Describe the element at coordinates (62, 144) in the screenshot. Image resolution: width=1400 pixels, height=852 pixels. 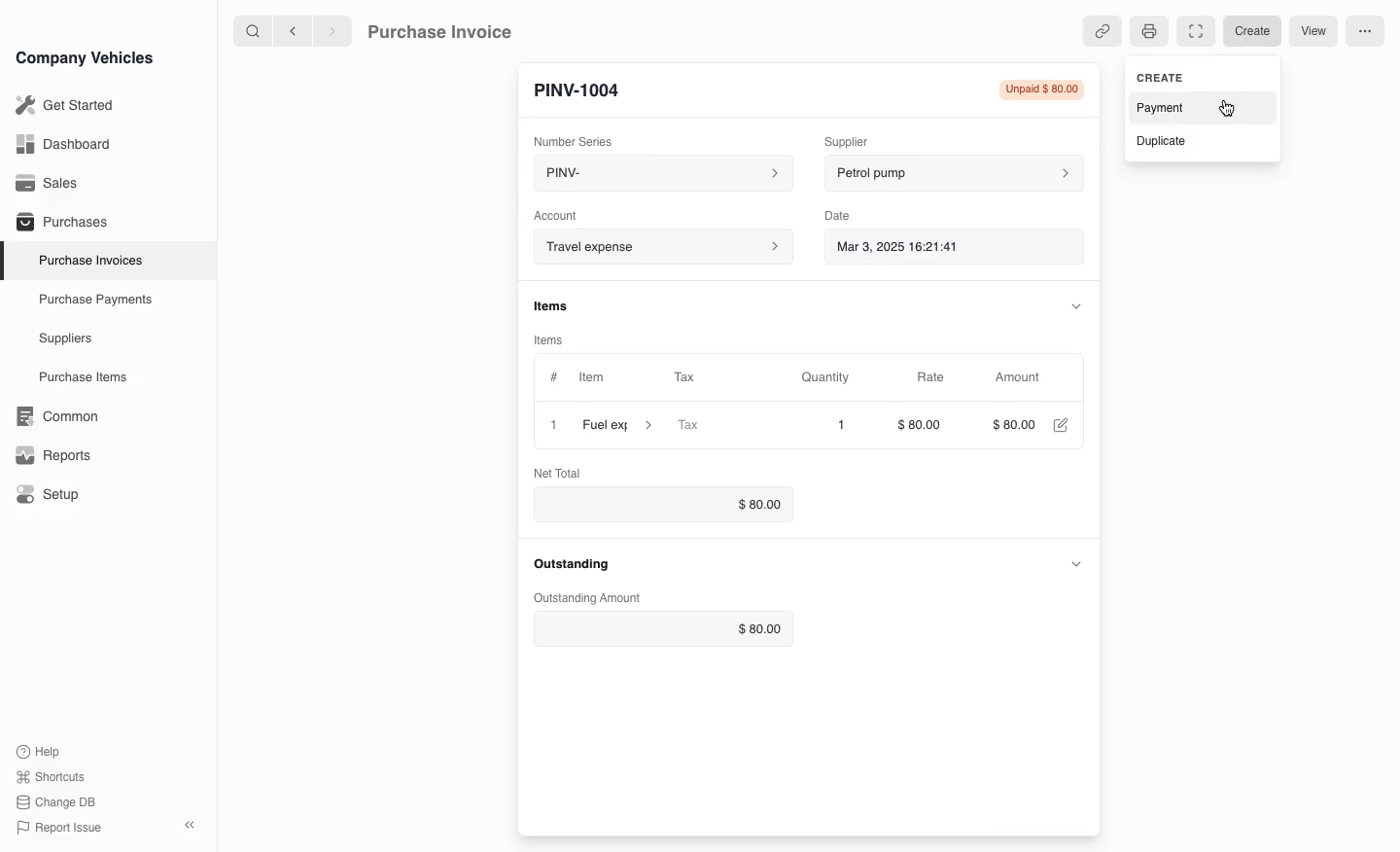
I see `Dashboard` at that location.